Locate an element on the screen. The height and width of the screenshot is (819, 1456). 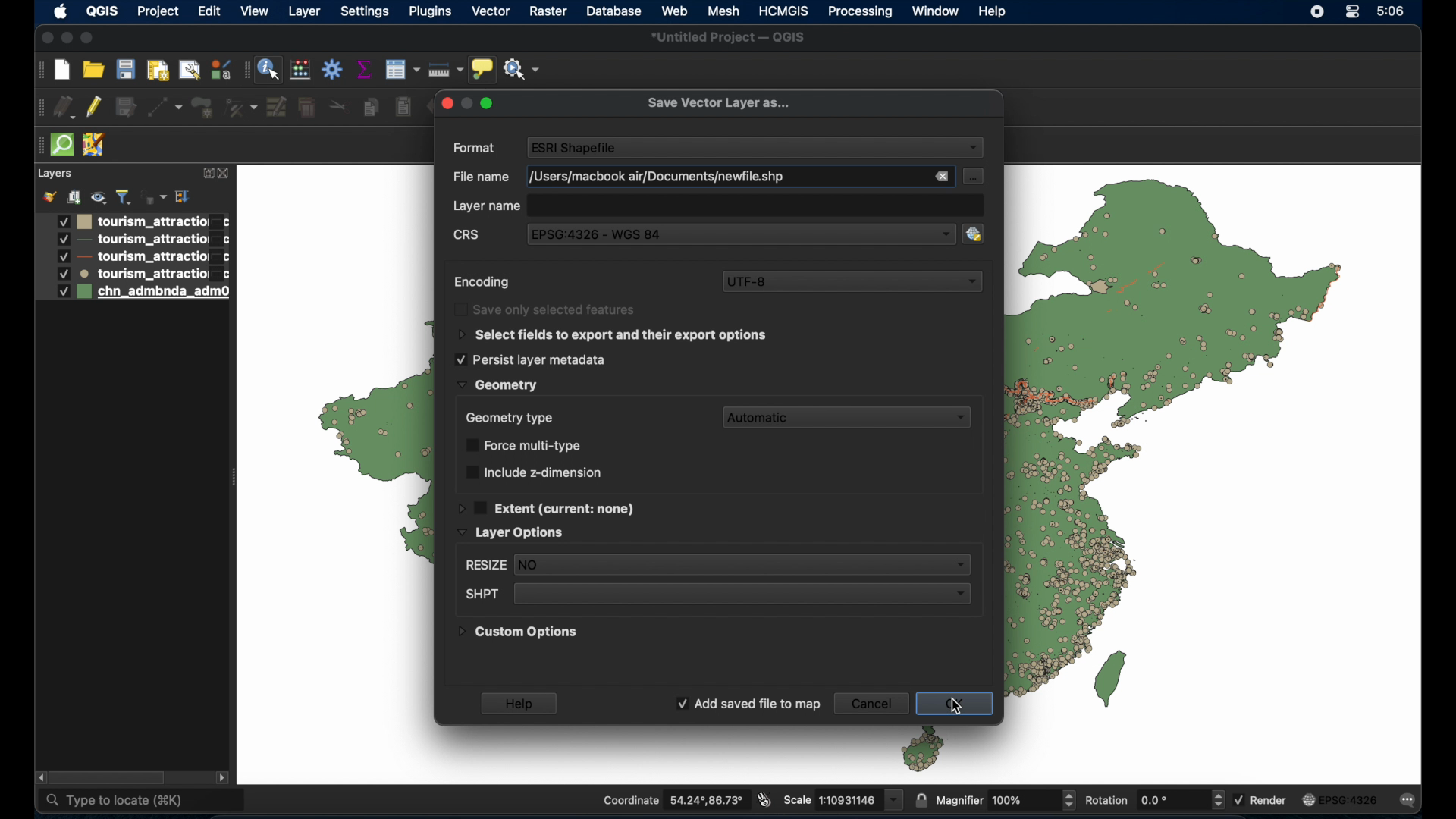
paste features is located at coordinates (404, 108).